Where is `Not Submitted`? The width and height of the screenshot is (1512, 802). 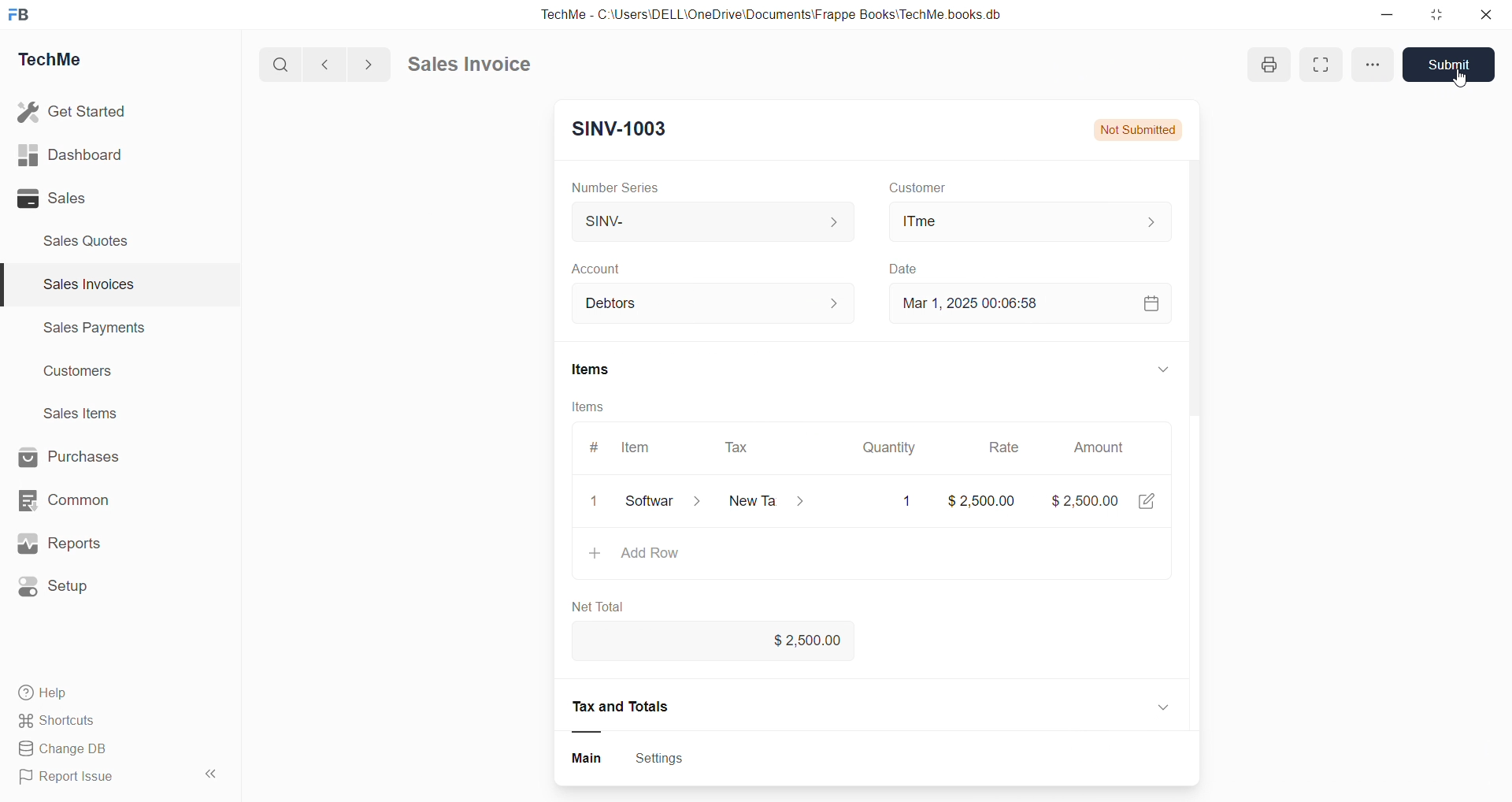 Not Submitted is located at coordinates (1148, 130).